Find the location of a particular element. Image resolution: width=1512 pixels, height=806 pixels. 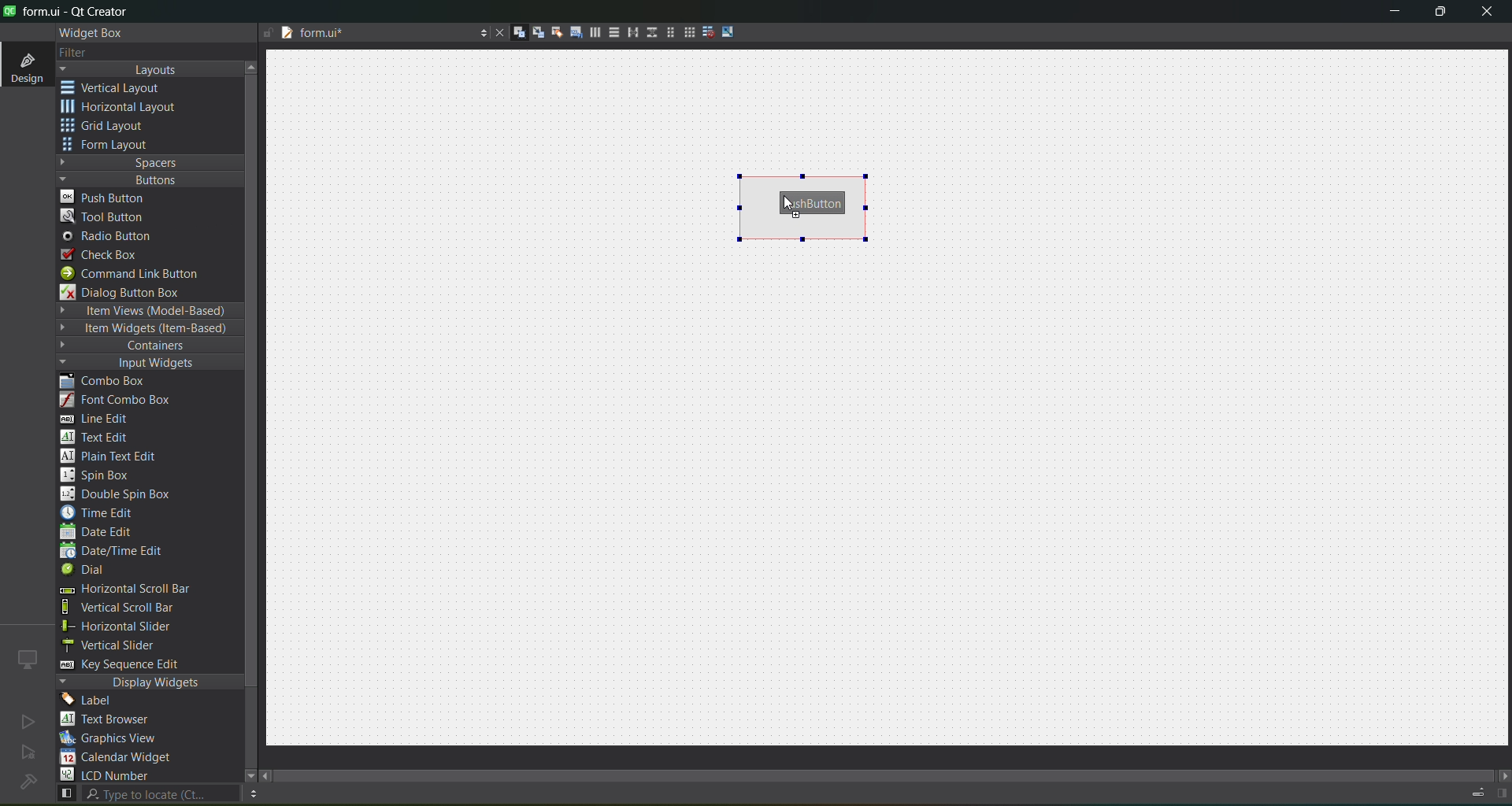

item widgets is located at coordinates (146, 329).